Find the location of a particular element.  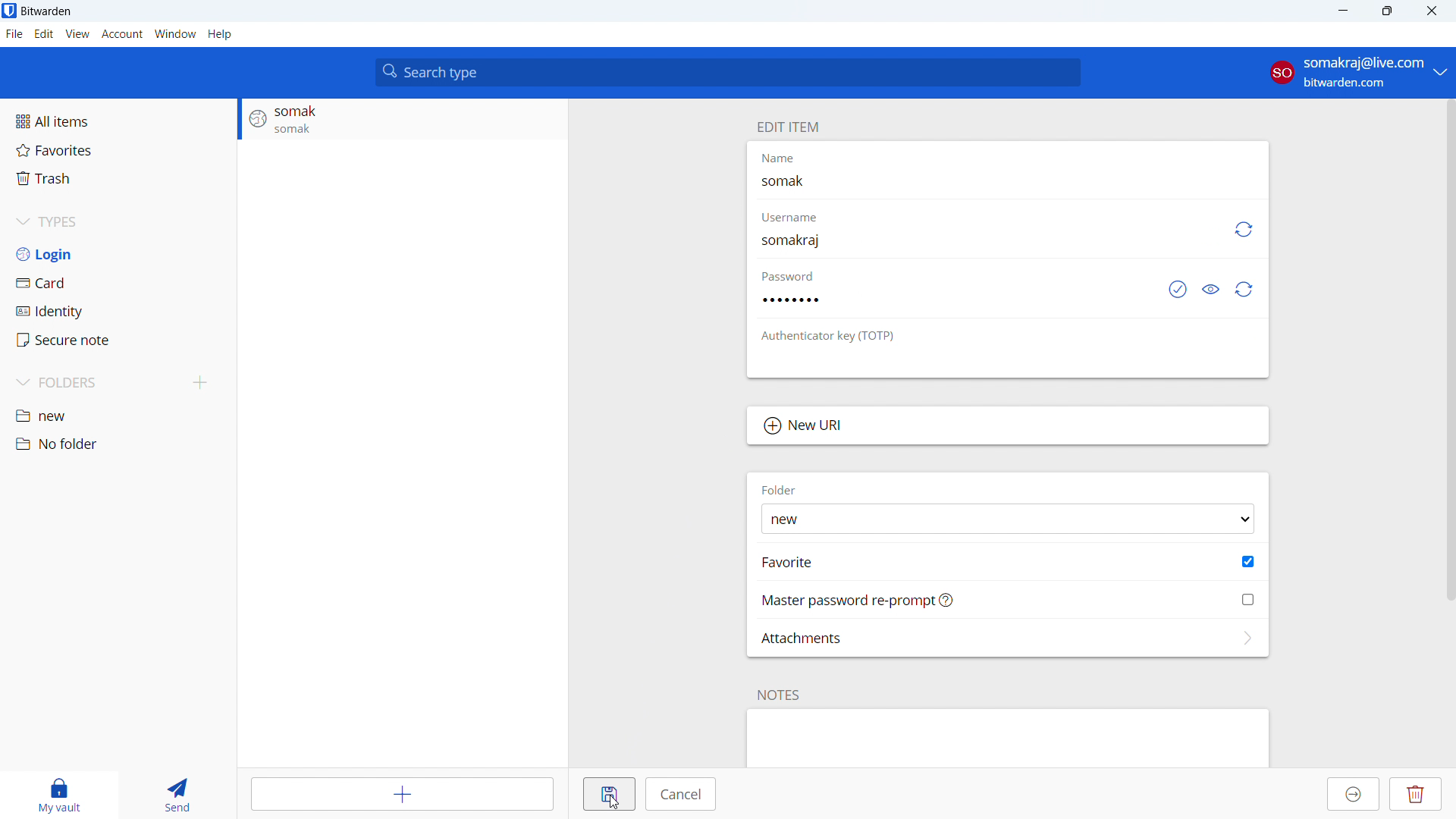

account is located at coordinates (1356, 71).